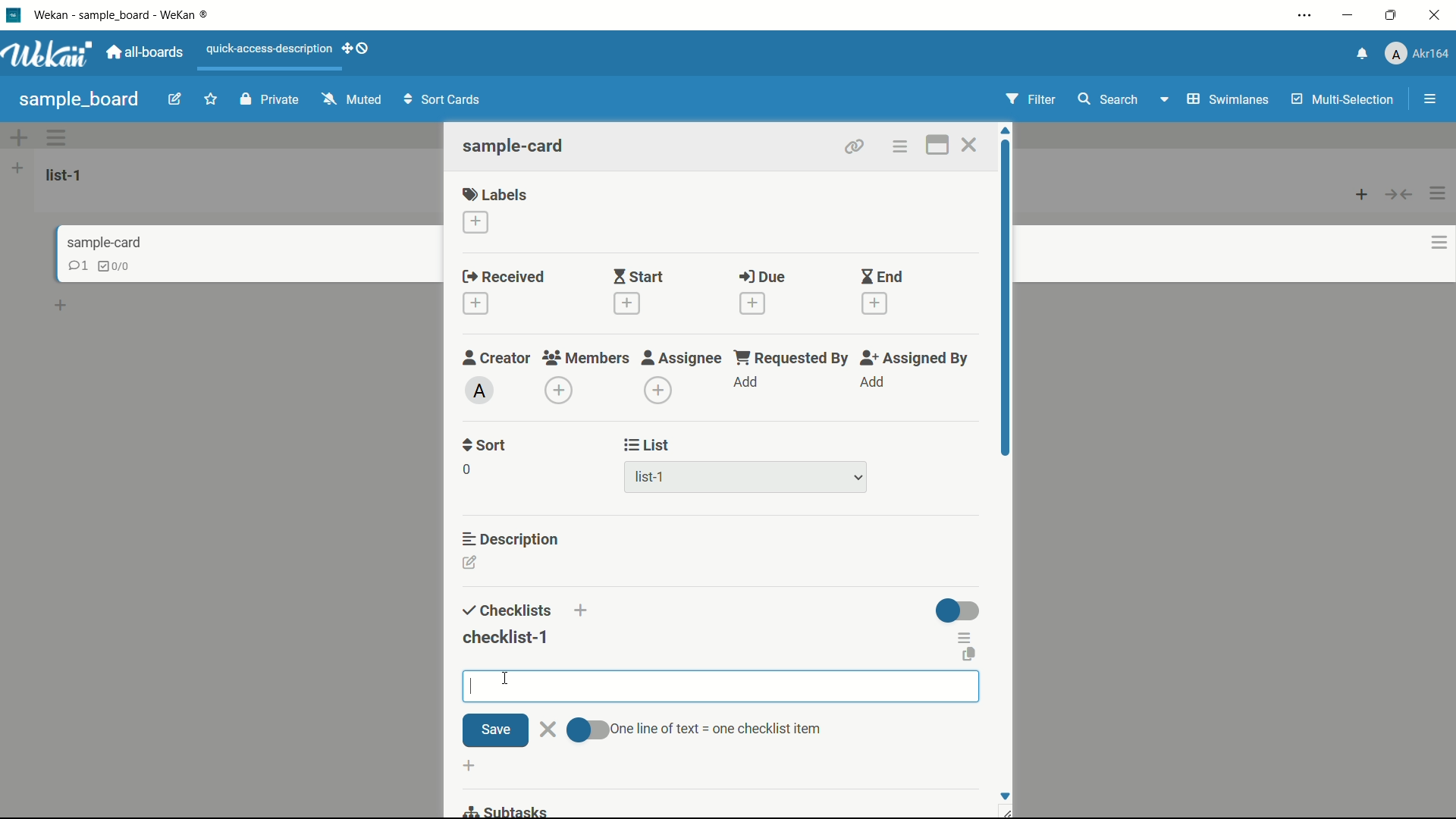  I want to click on Filter, so click(1031, 101).